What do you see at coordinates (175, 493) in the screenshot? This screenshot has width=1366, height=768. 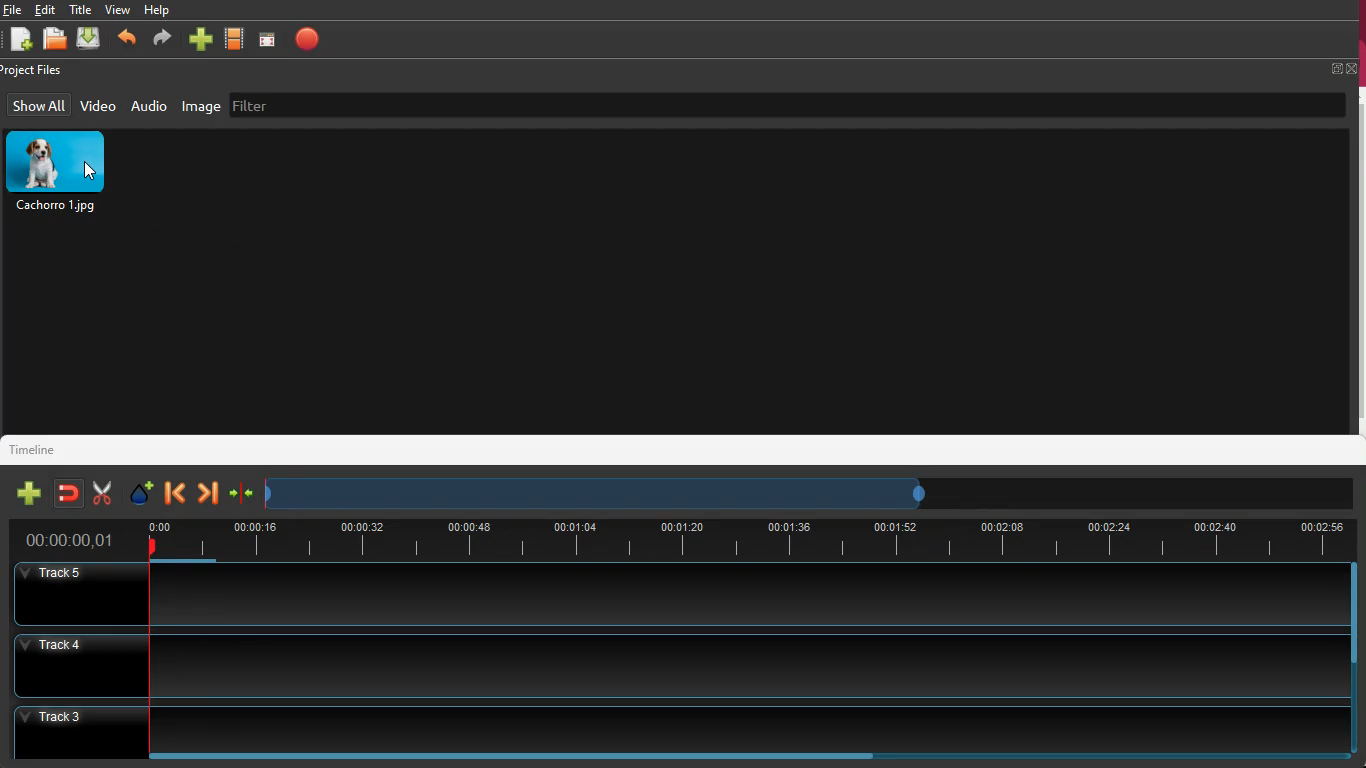 I see `back` at bounding box center [175, 493].